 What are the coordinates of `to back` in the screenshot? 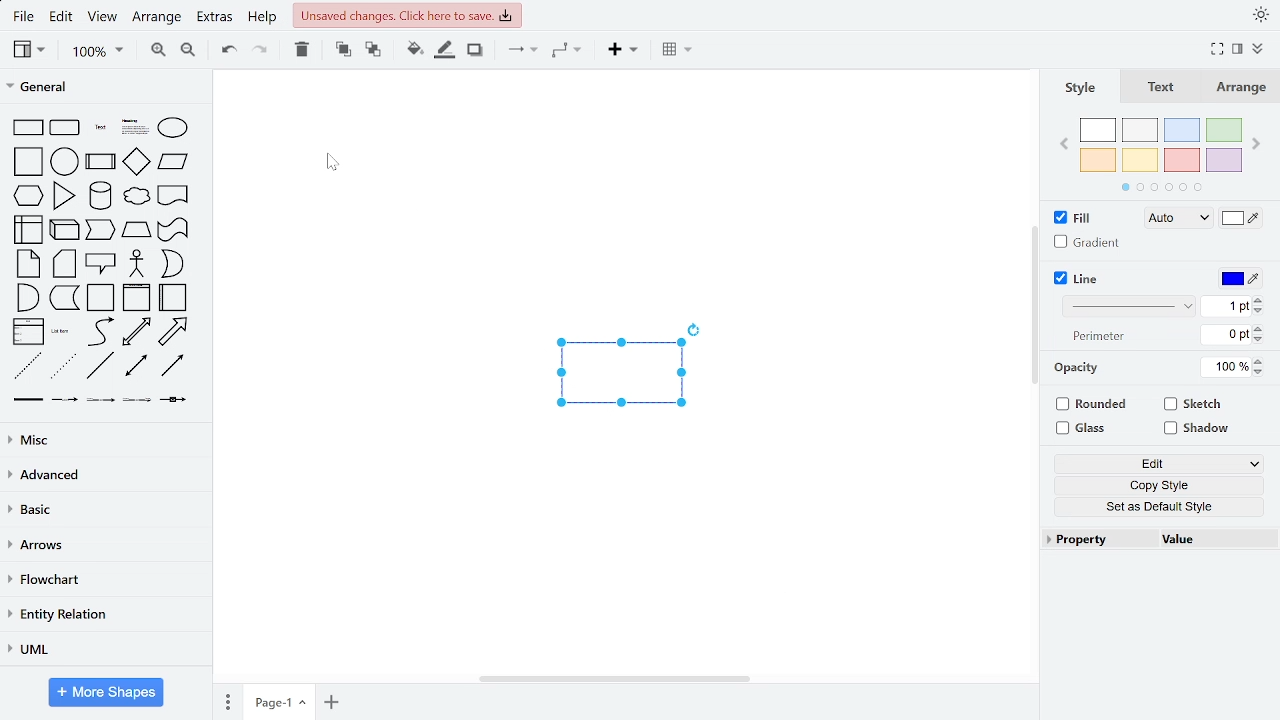 It's located at (372, 51).